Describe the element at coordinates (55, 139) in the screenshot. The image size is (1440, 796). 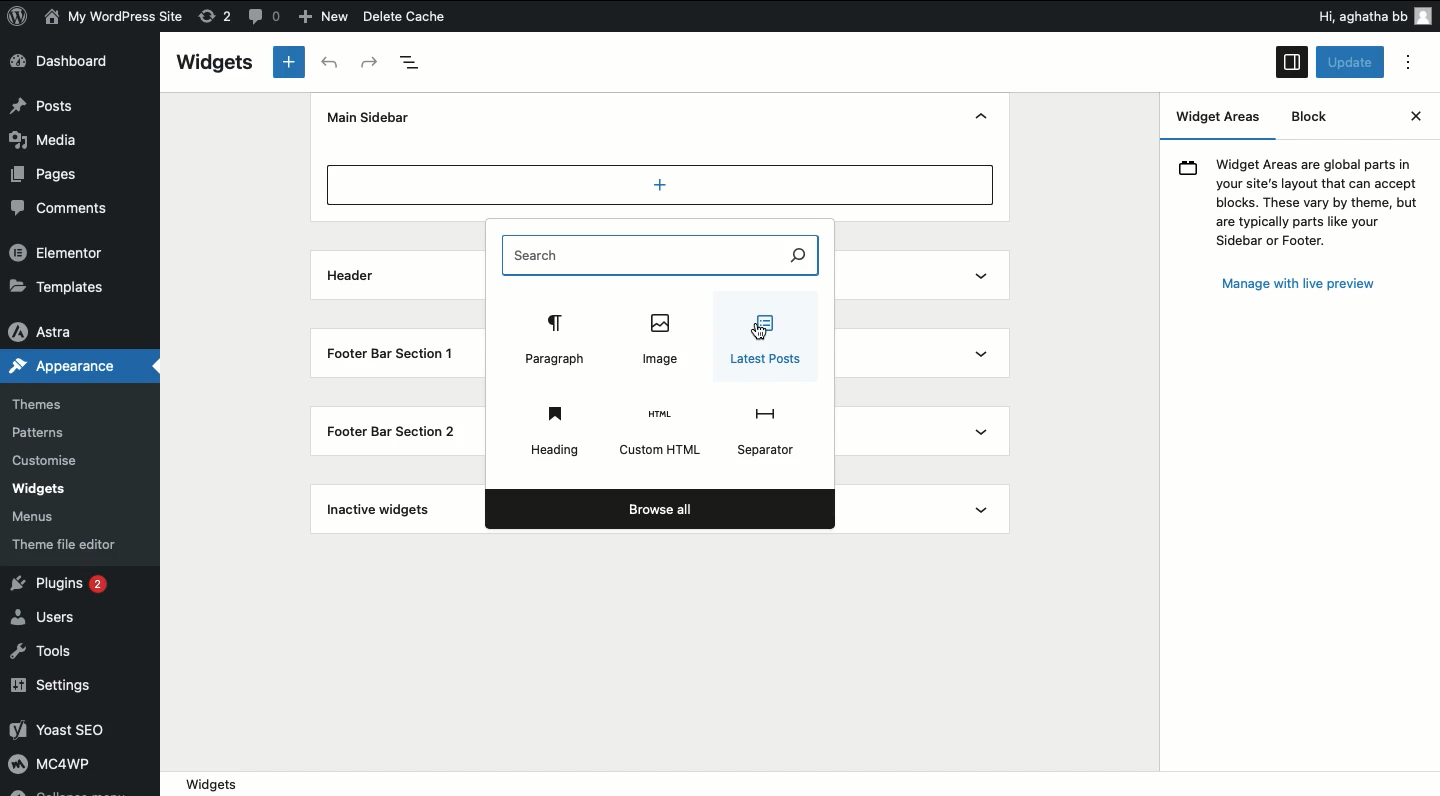
I see ` Media` at that location.